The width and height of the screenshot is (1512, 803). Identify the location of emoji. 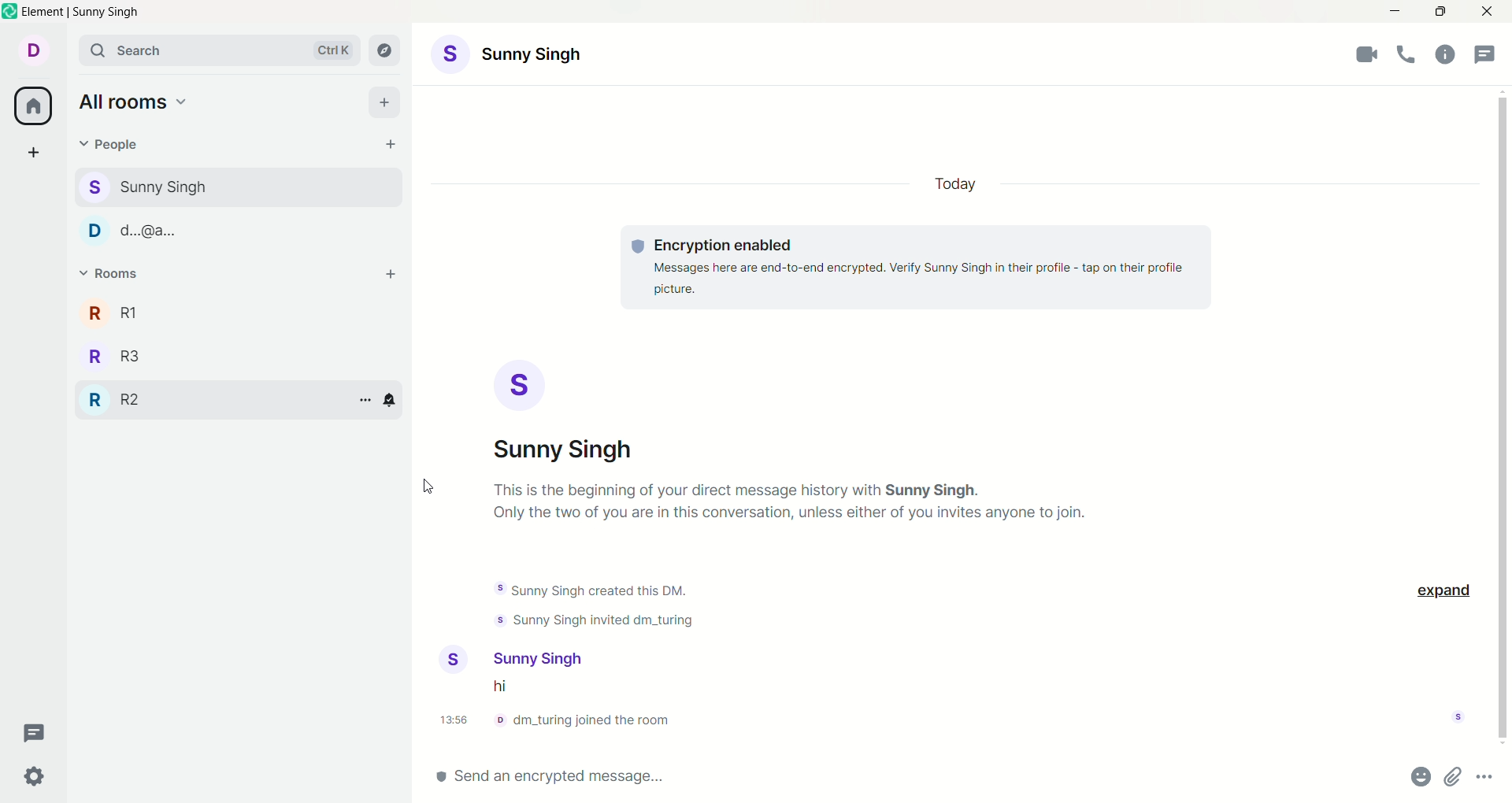
(1420, 775).